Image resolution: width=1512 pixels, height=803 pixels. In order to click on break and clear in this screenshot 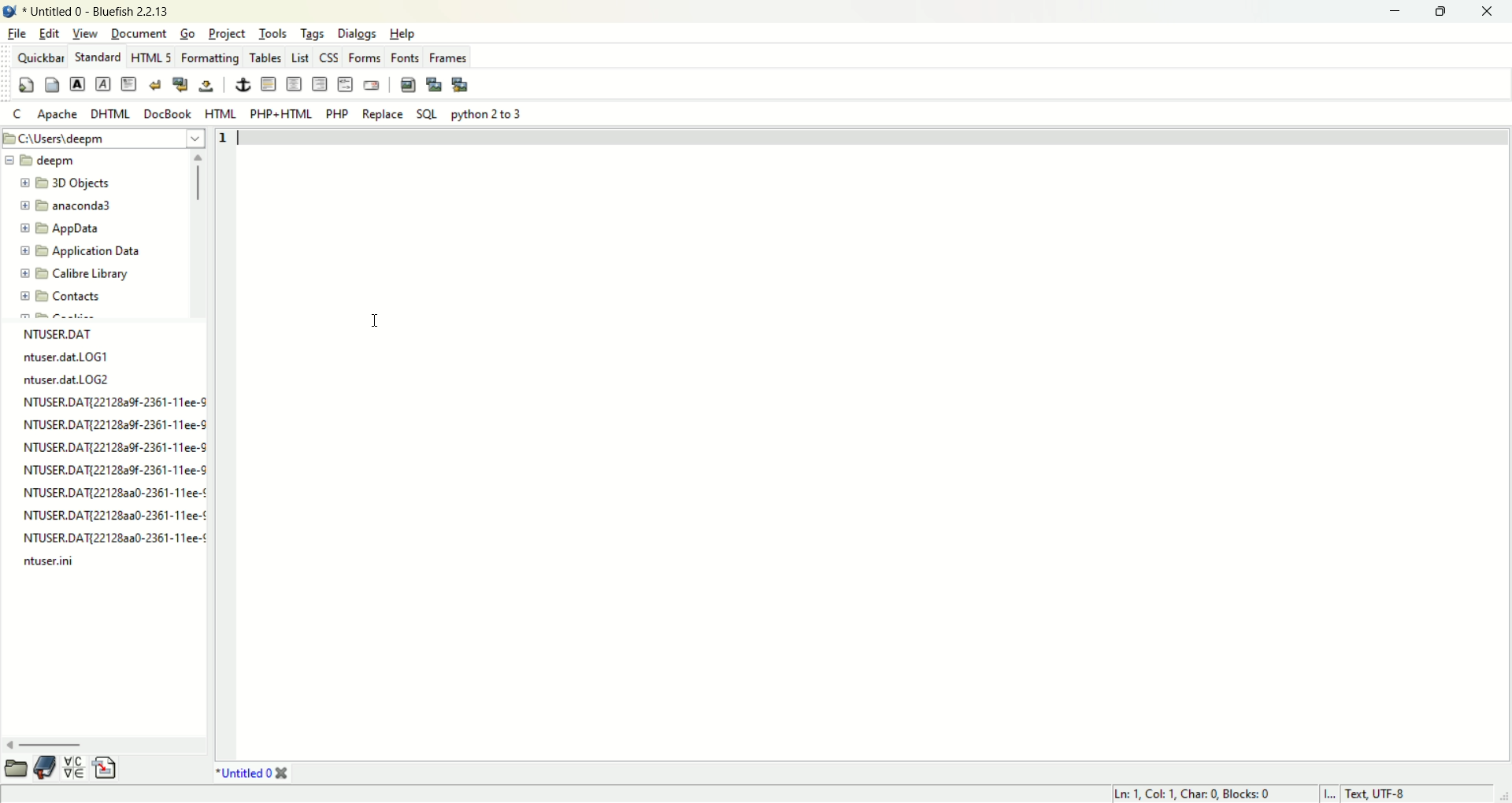, I will do `click(178, 86)`.